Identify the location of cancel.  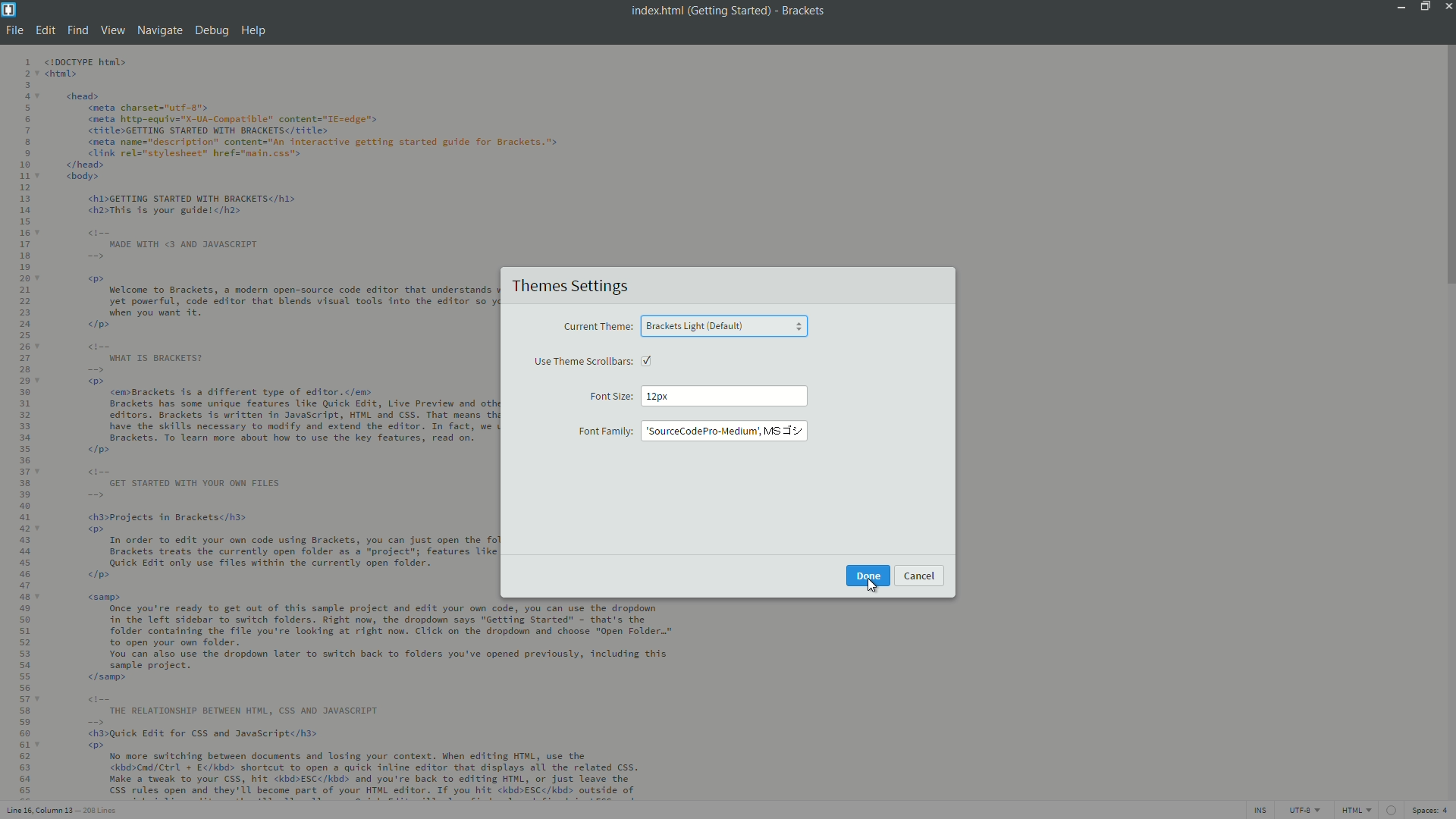
(919, 575).